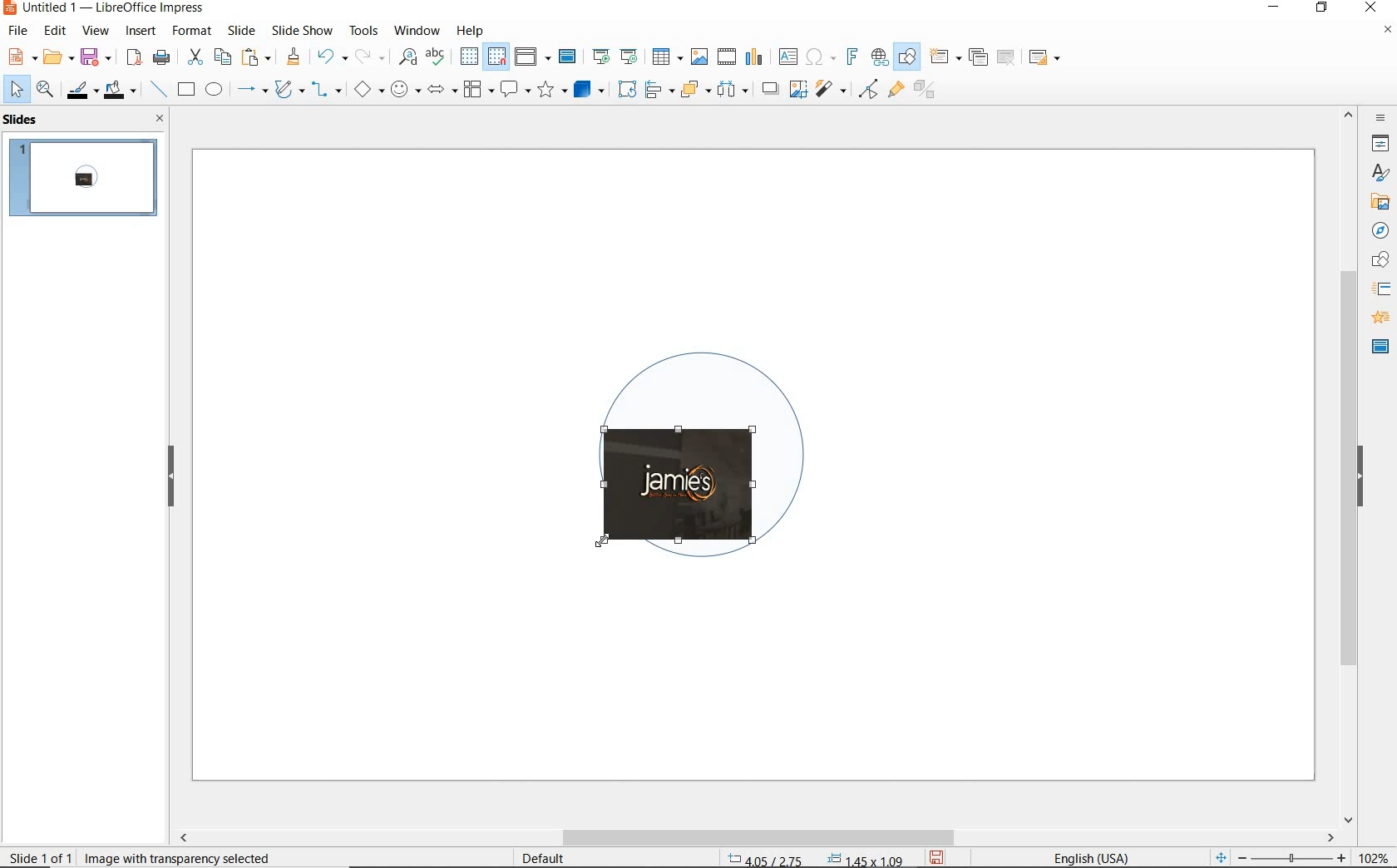 This screenshot has height=868, width=1397. I want to click on properties, so click(1379, 143).